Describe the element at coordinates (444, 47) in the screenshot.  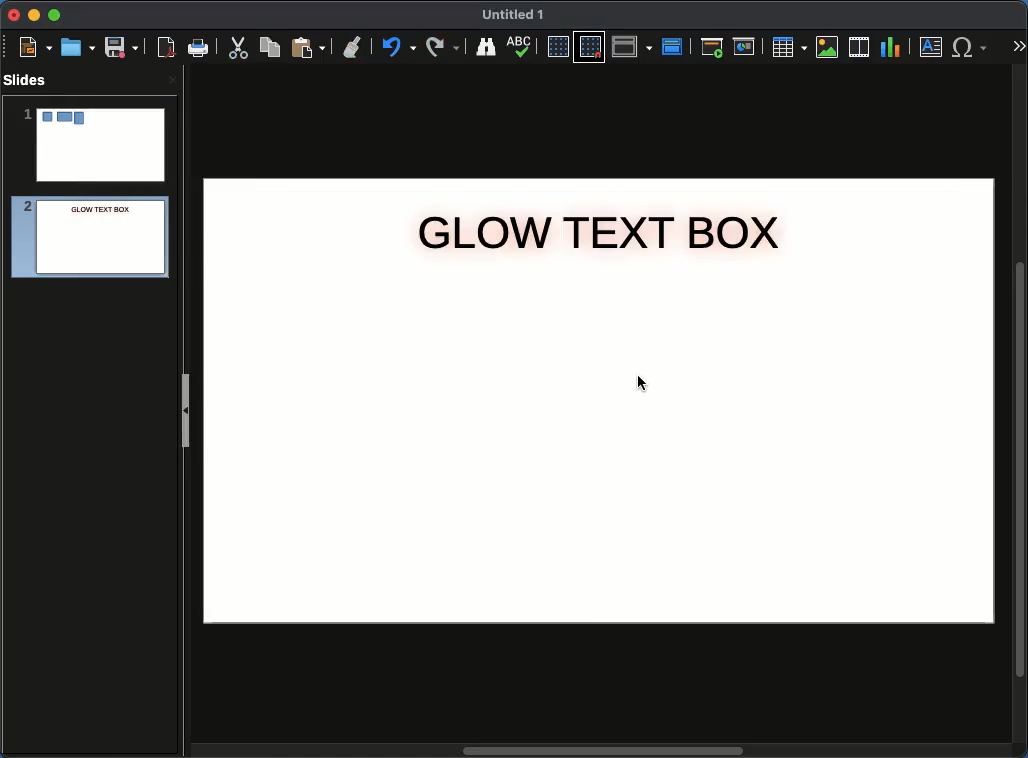
I see `Redo` at that location.